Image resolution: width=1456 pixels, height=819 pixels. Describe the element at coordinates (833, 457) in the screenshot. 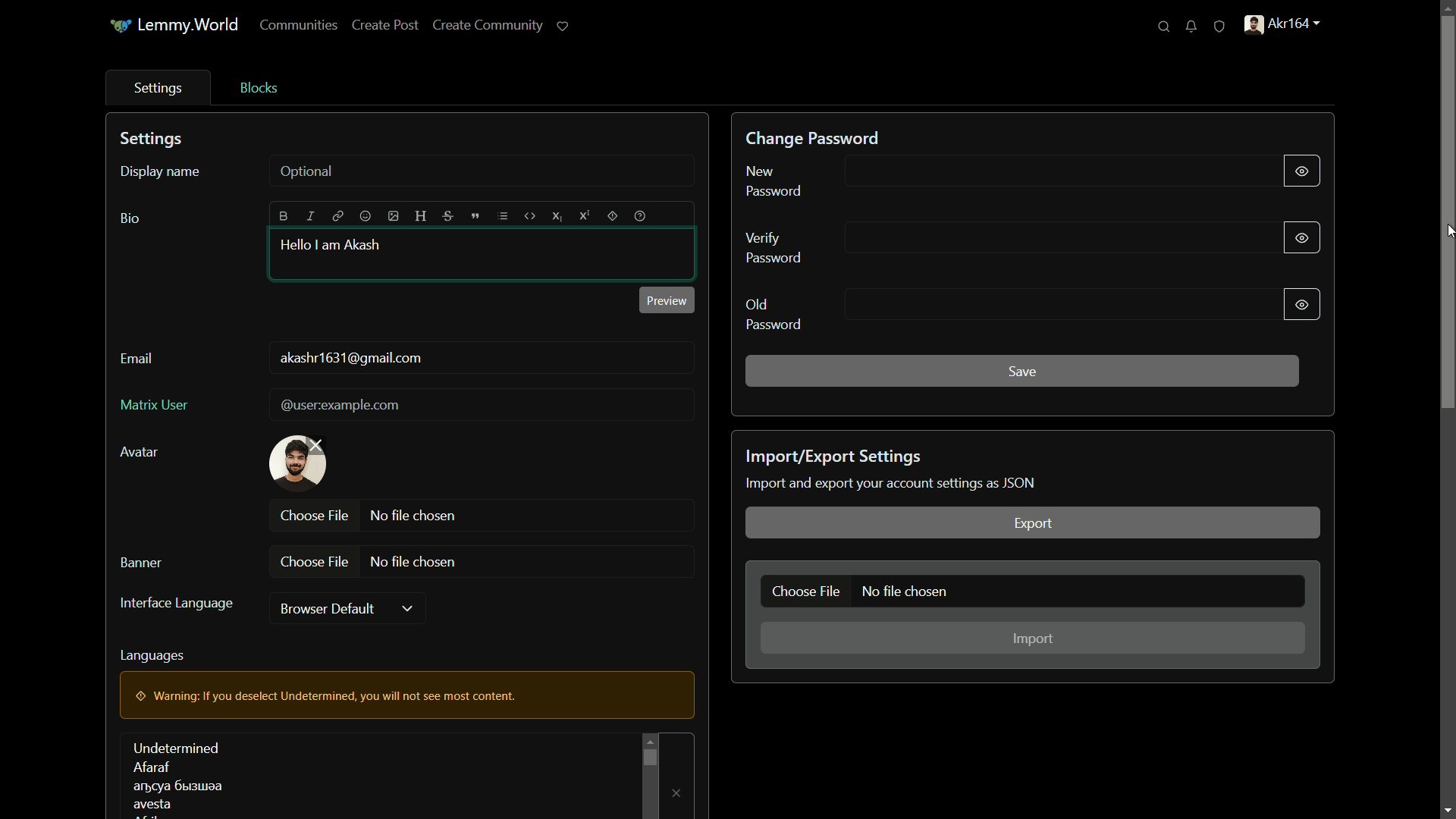

I see `import/export settings` at that location.